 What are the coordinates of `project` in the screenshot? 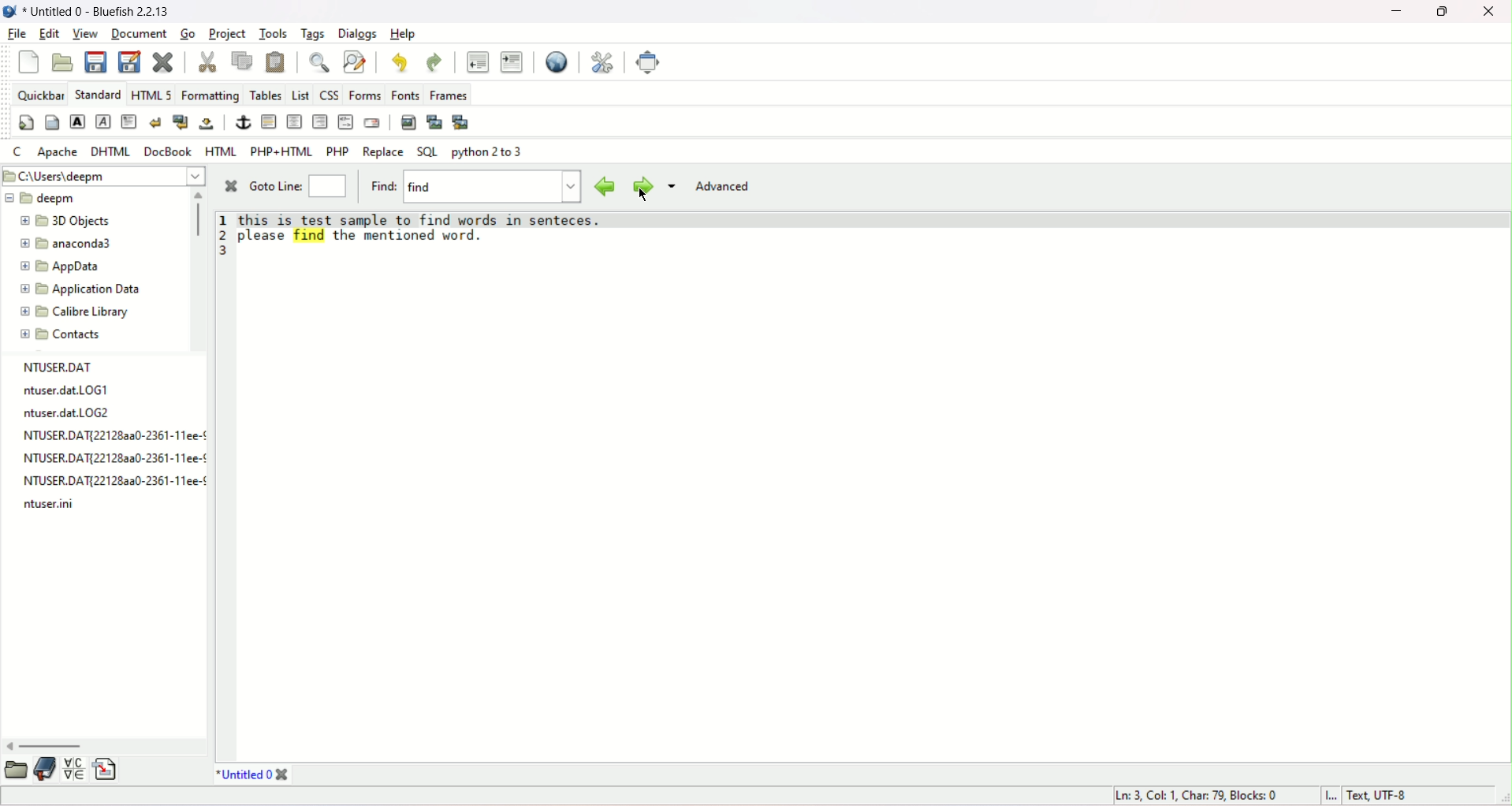 It's located at (227, 32).